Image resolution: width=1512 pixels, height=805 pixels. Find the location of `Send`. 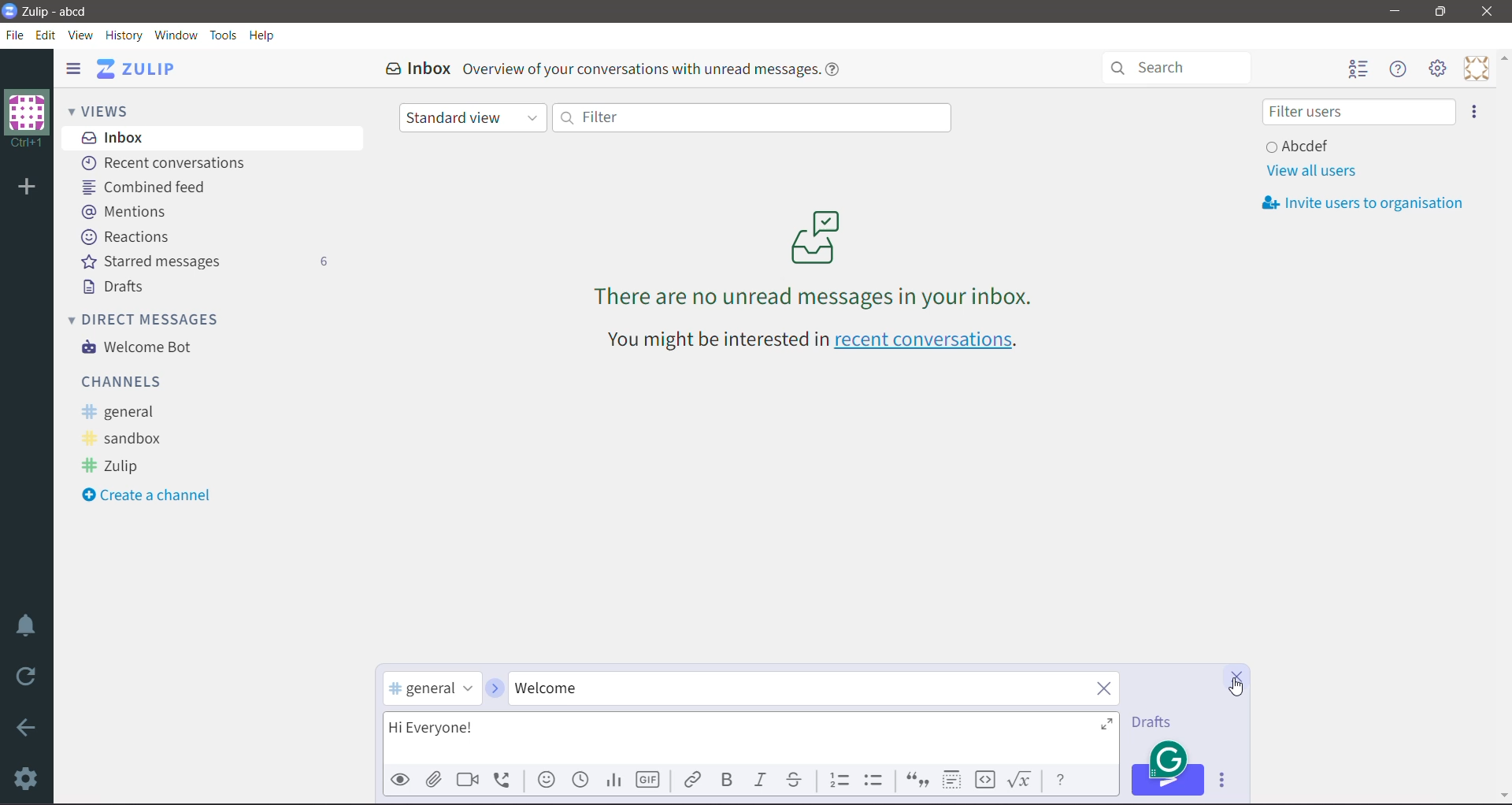

Send is located at coordinates (1168, 780).